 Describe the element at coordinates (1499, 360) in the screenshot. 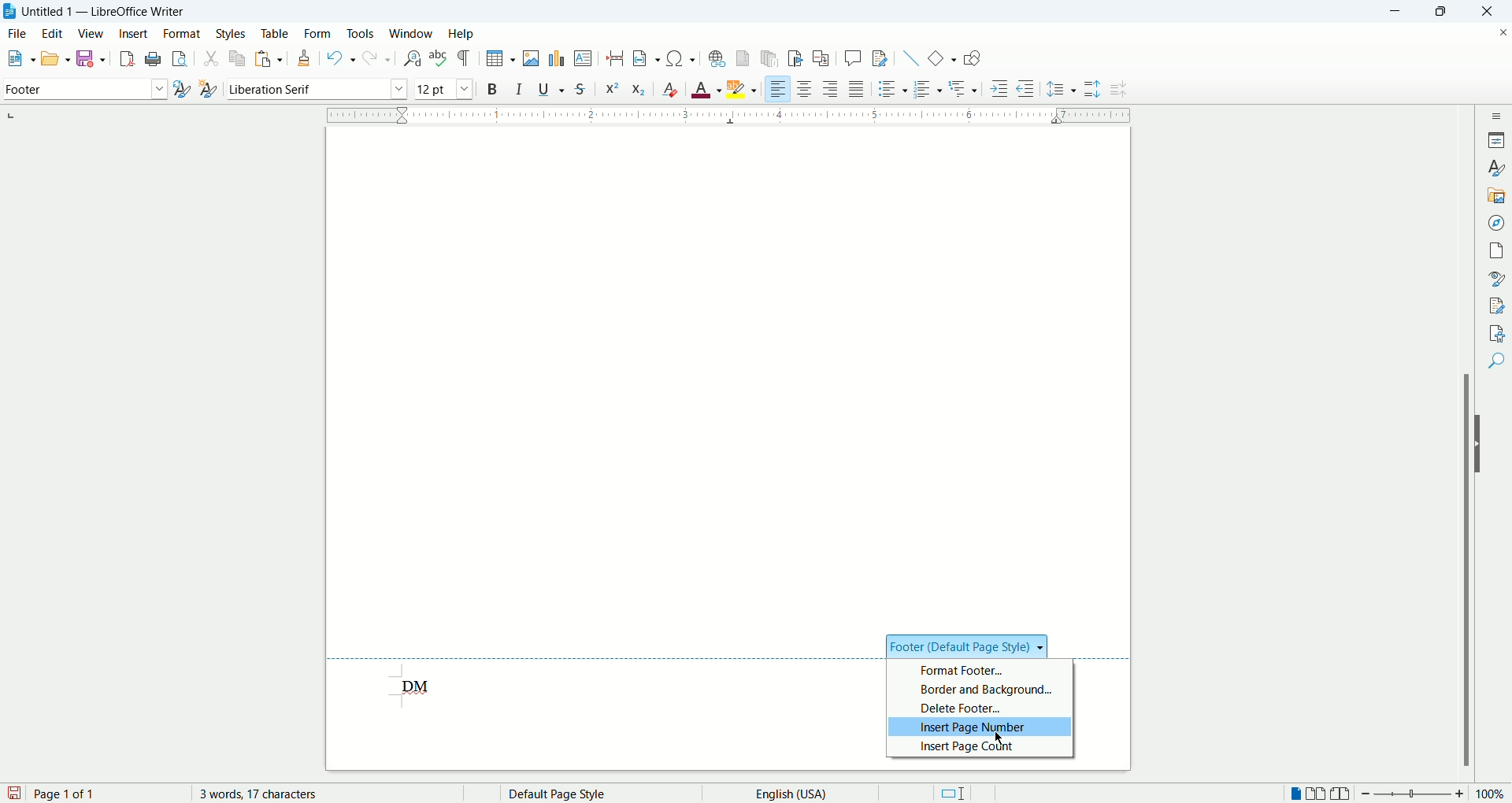

I see `find` at that location.